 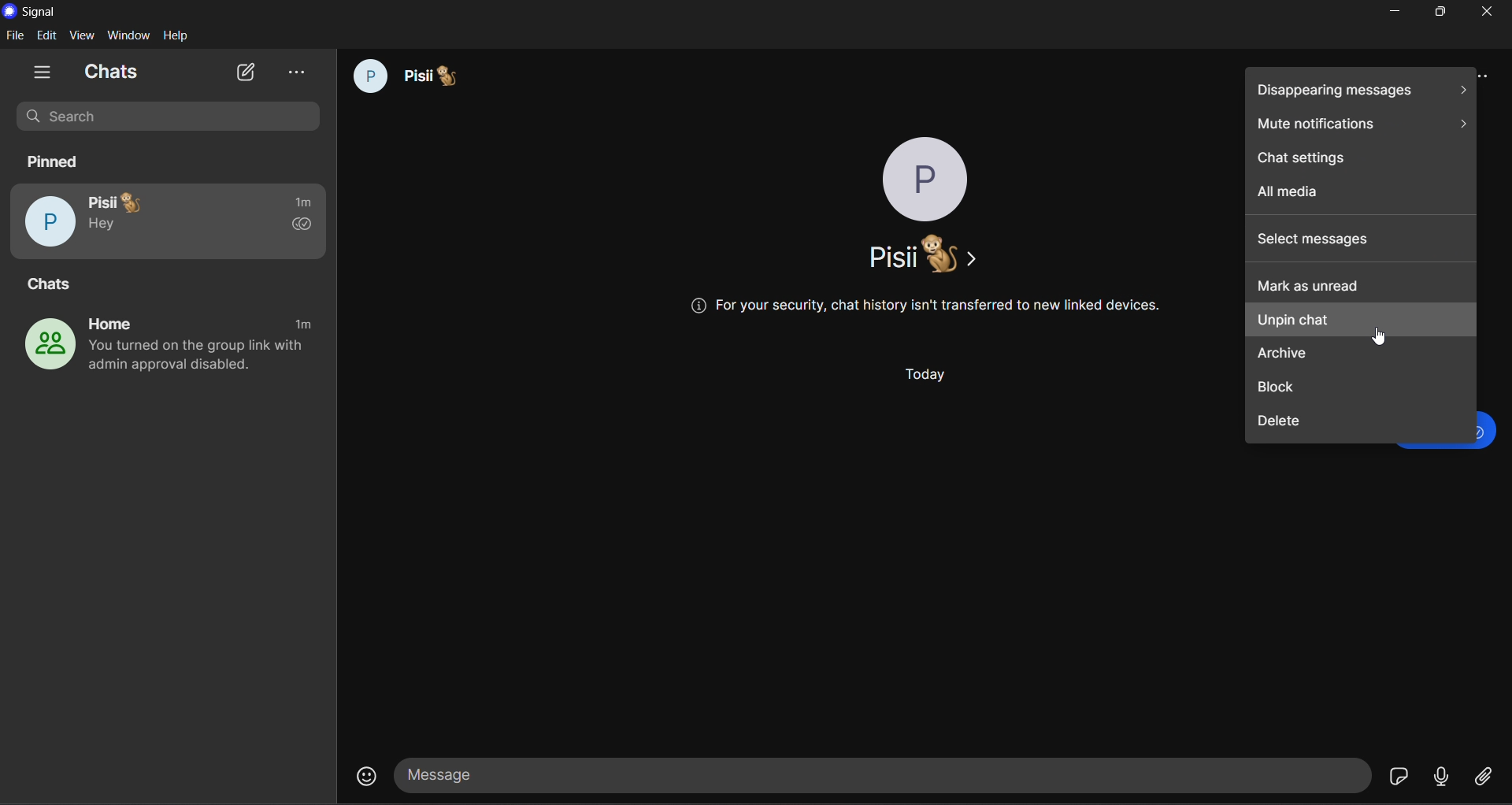 What do you see at coordinates (1363, 195) in the screenshot?
I see `all media` at bounding box center [1363, 195].